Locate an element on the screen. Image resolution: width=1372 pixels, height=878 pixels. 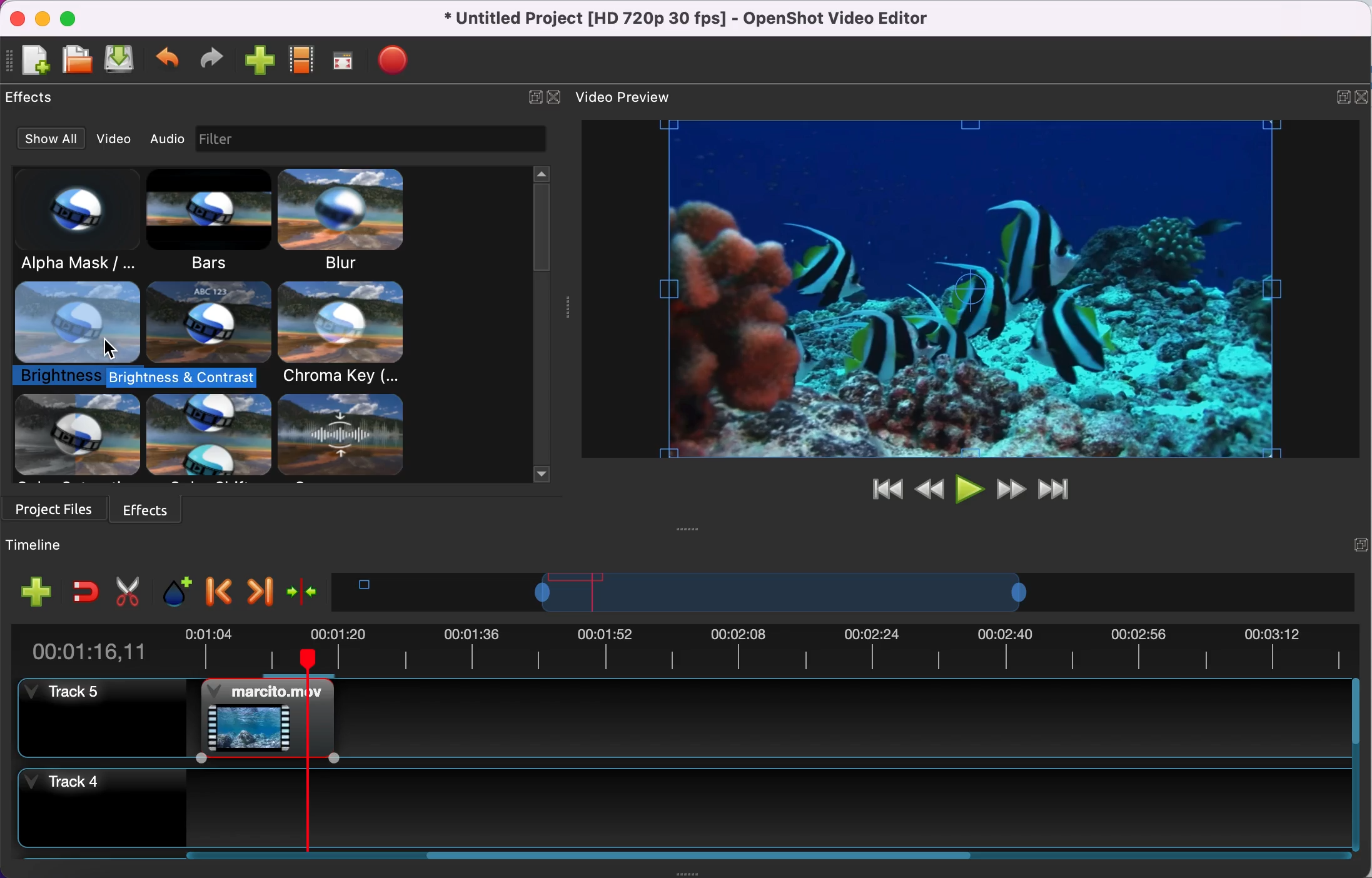
undo is located at coordinates (169, 59).